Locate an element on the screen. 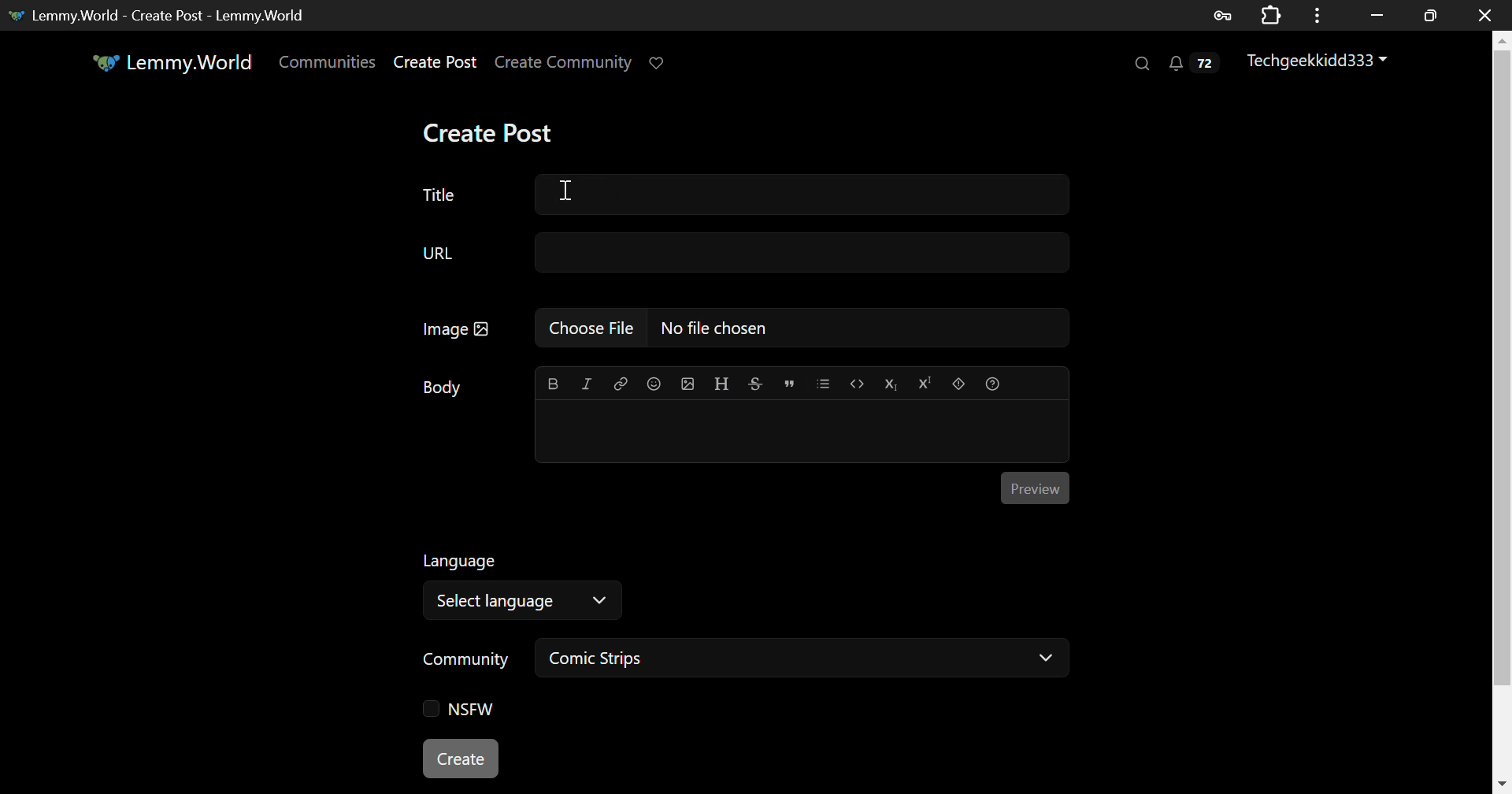 The image size is (1512, 794). Create is located at coordinates (462, 760).